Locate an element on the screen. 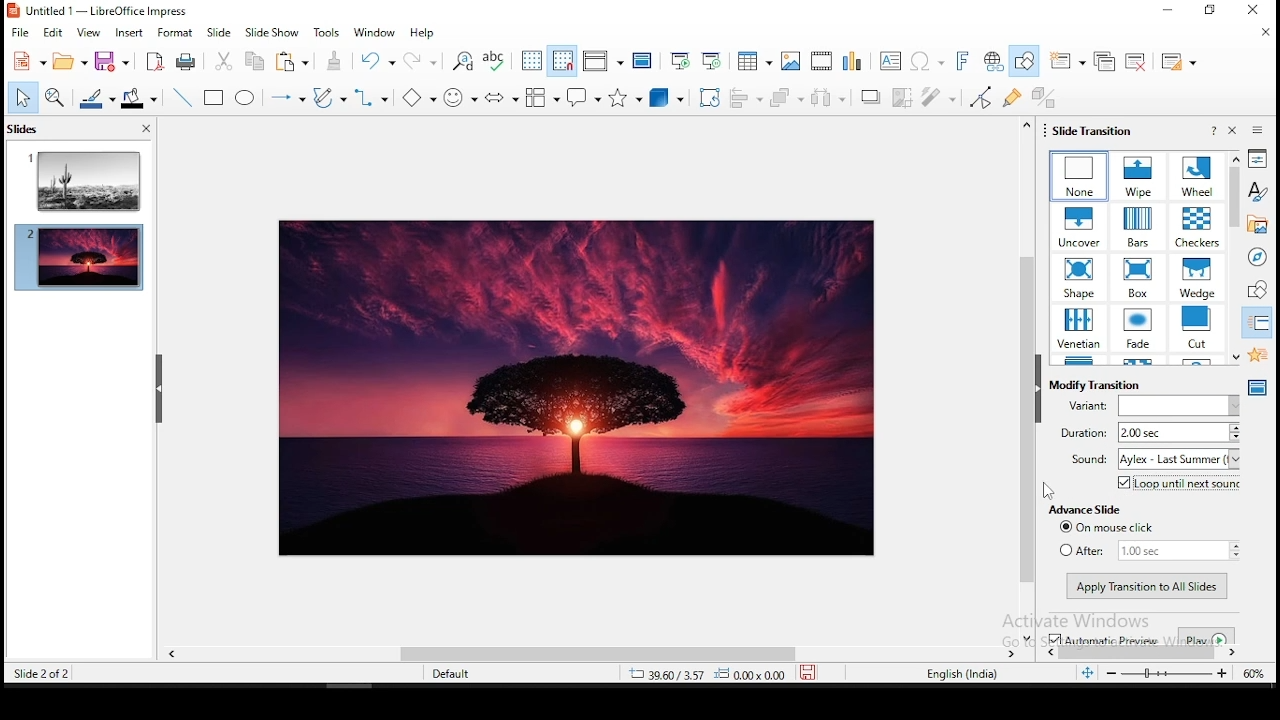  navigator is located at coordinates (1256, 257).